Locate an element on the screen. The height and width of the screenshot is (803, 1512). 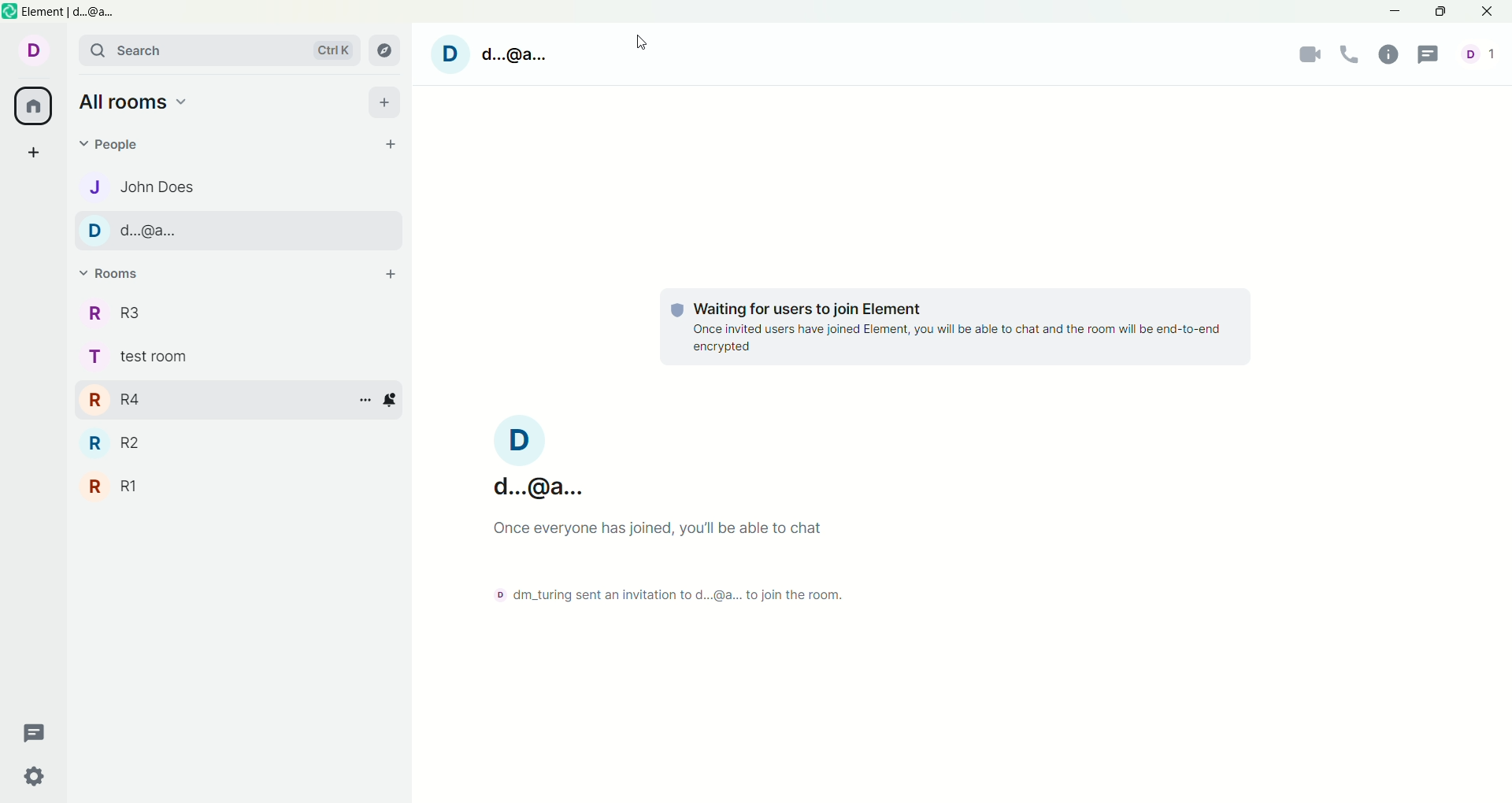
thread is located at coordinates (35, 732).